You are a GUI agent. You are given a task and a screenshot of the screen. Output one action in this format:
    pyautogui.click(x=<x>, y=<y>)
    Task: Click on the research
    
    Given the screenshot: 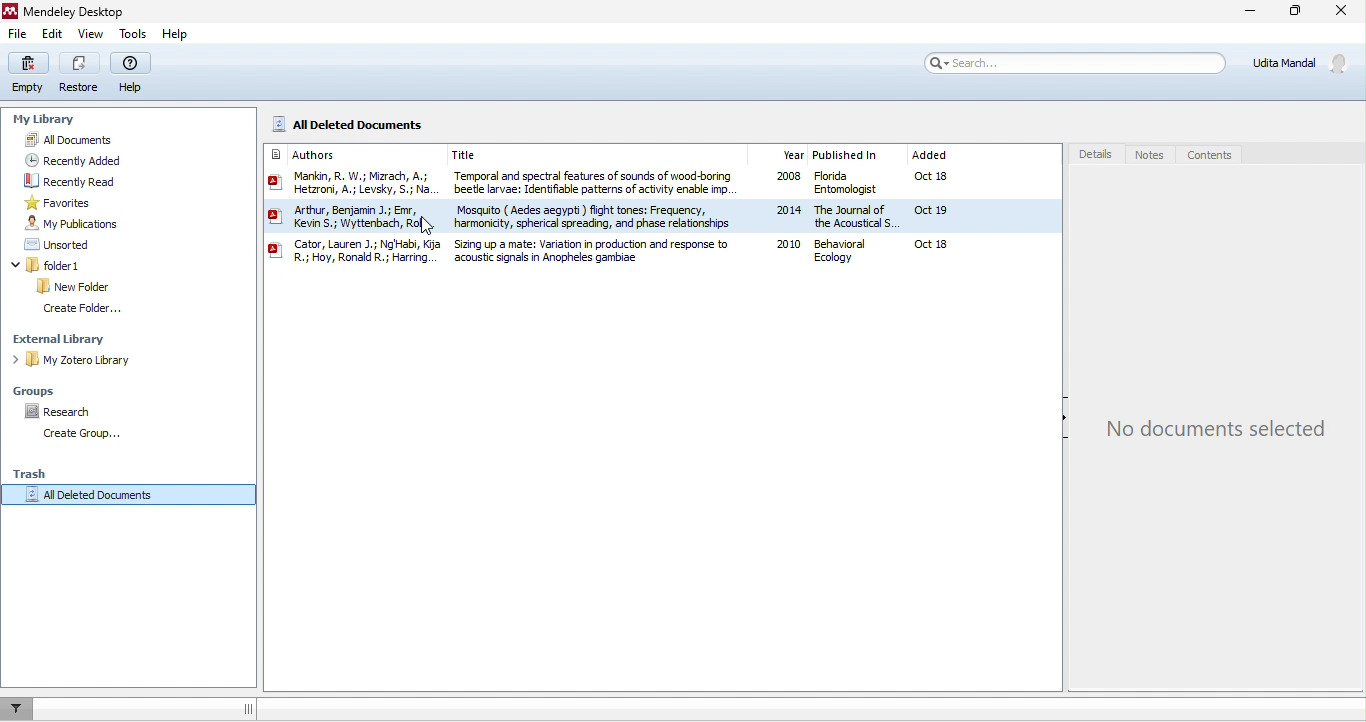 What is the action you would take?
    pyautogui.click(x=61, y=410)
    